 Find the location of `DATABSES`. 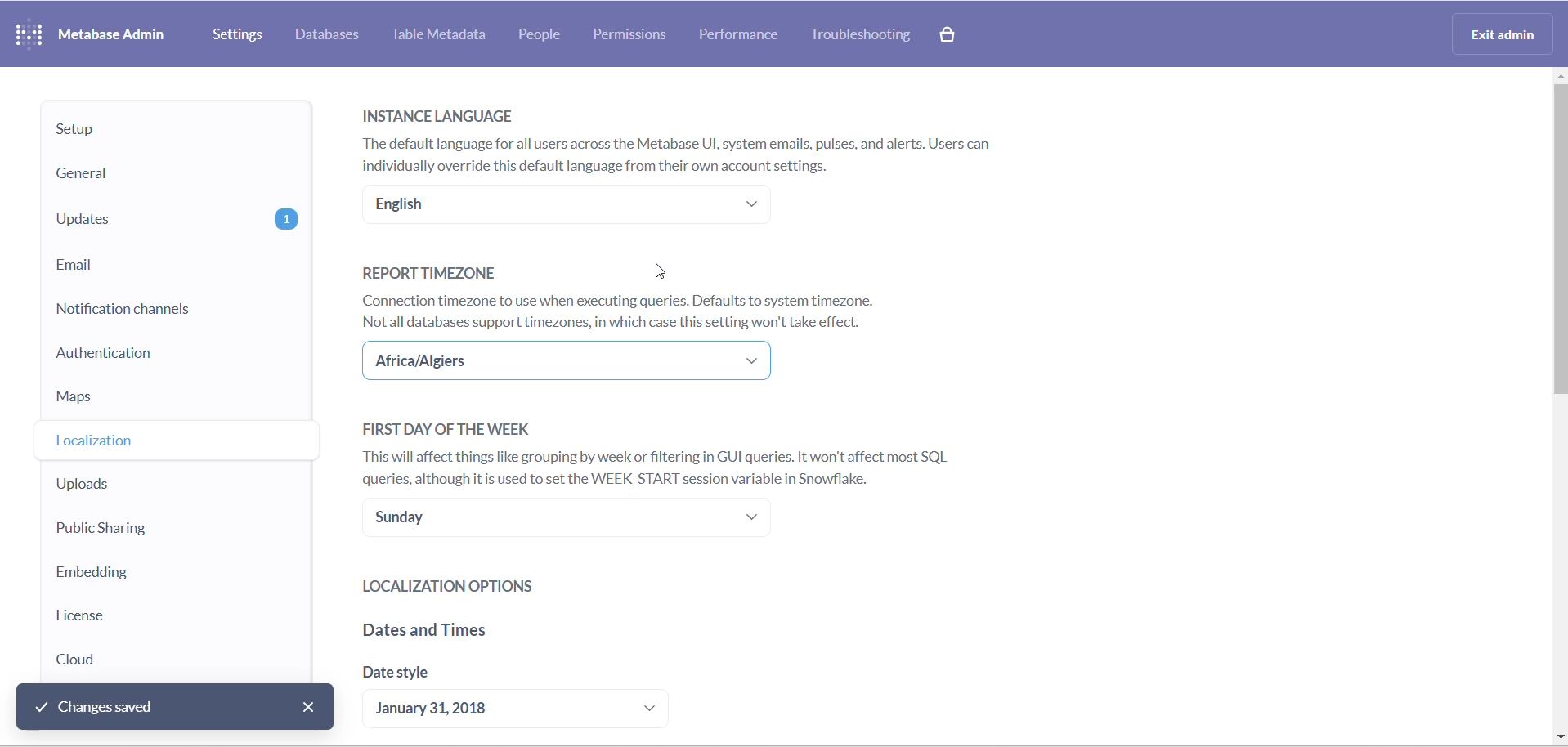

DATABSES is located at coordinates (329, 35).